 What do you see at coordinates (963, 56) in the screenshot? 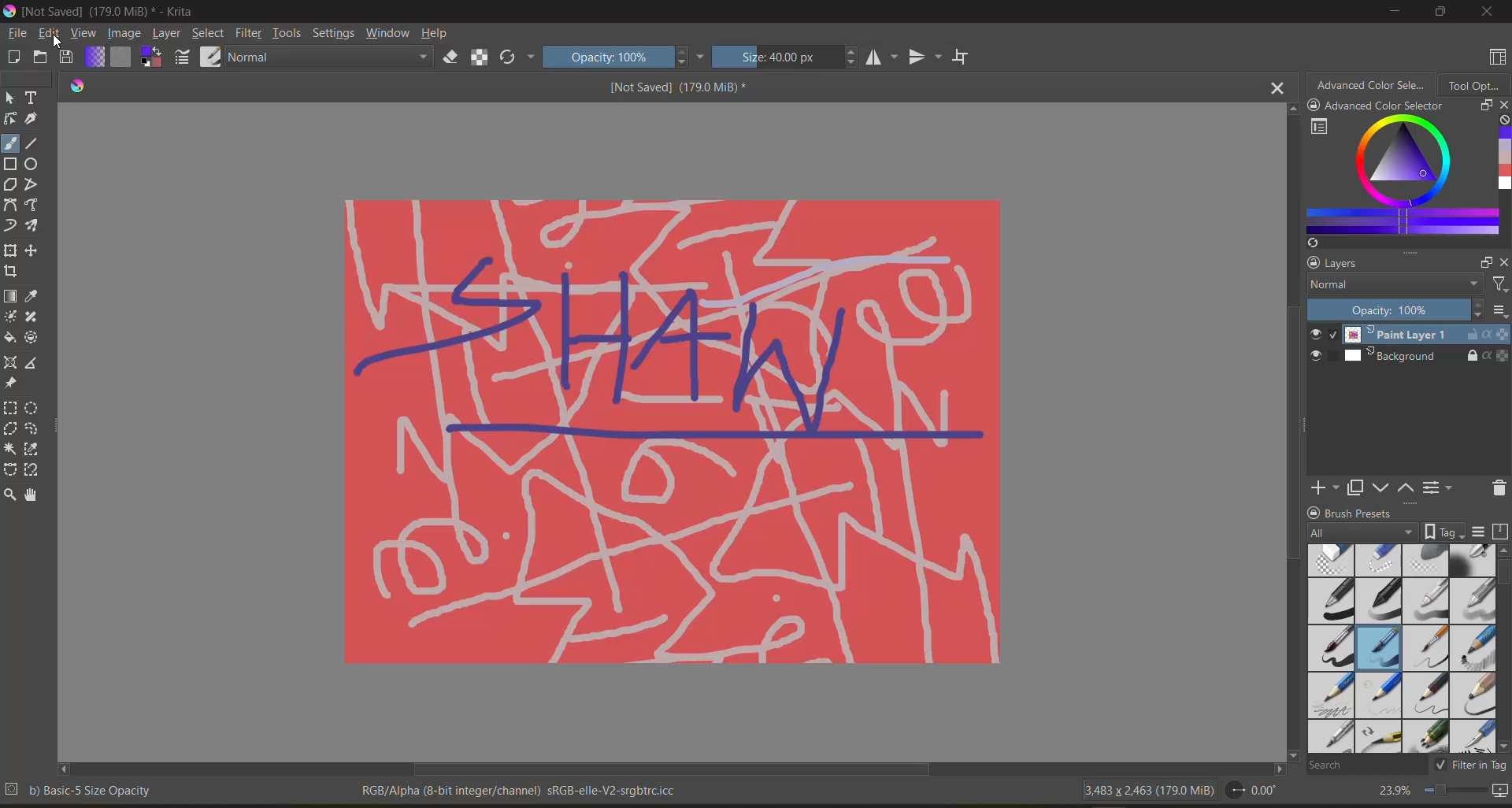
I see `wrap around mode` at bounding box center [963, 56].